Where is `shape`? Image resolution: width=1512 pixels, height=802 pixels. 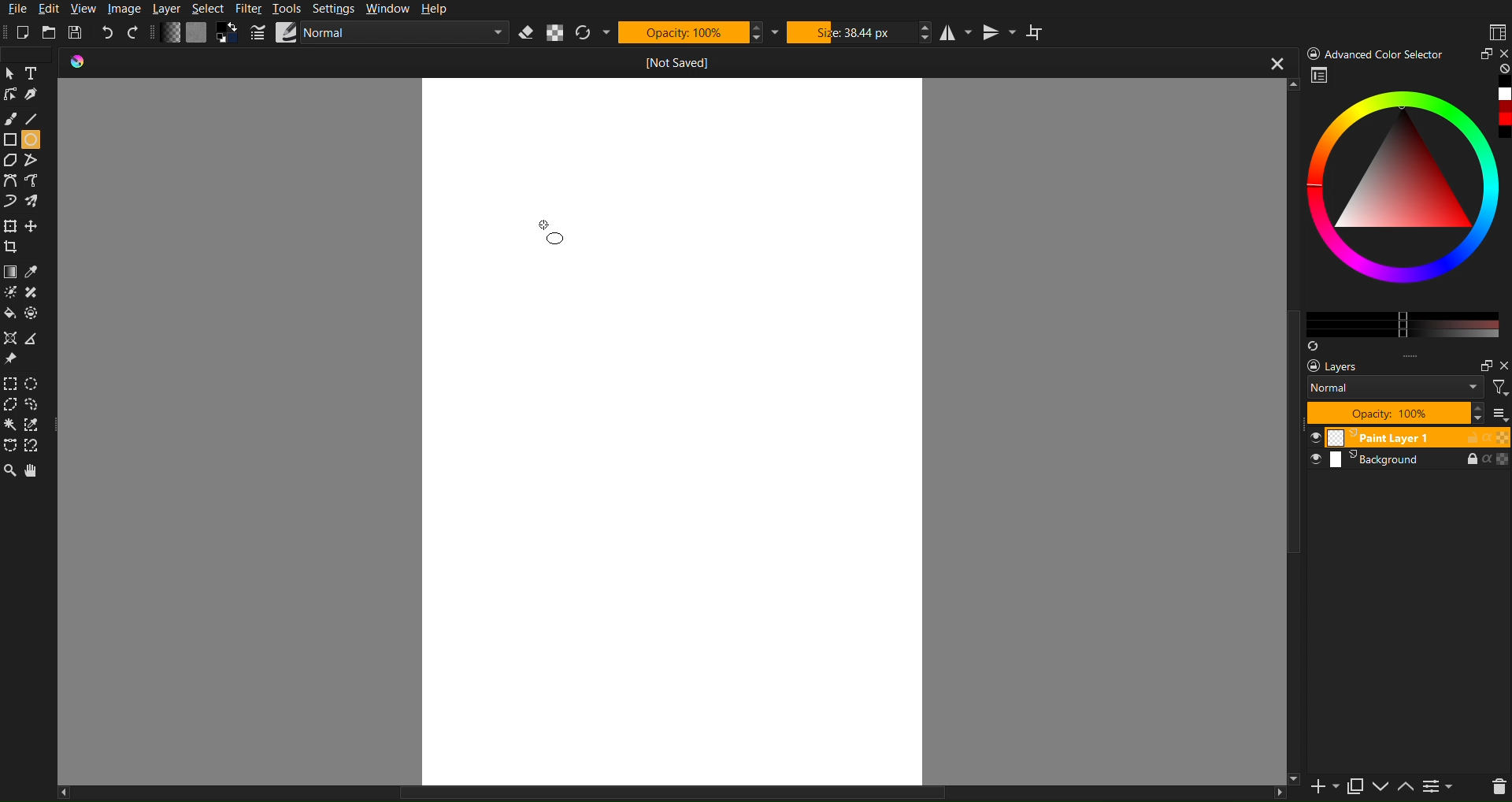 shape is located at coordinates (35, 293).